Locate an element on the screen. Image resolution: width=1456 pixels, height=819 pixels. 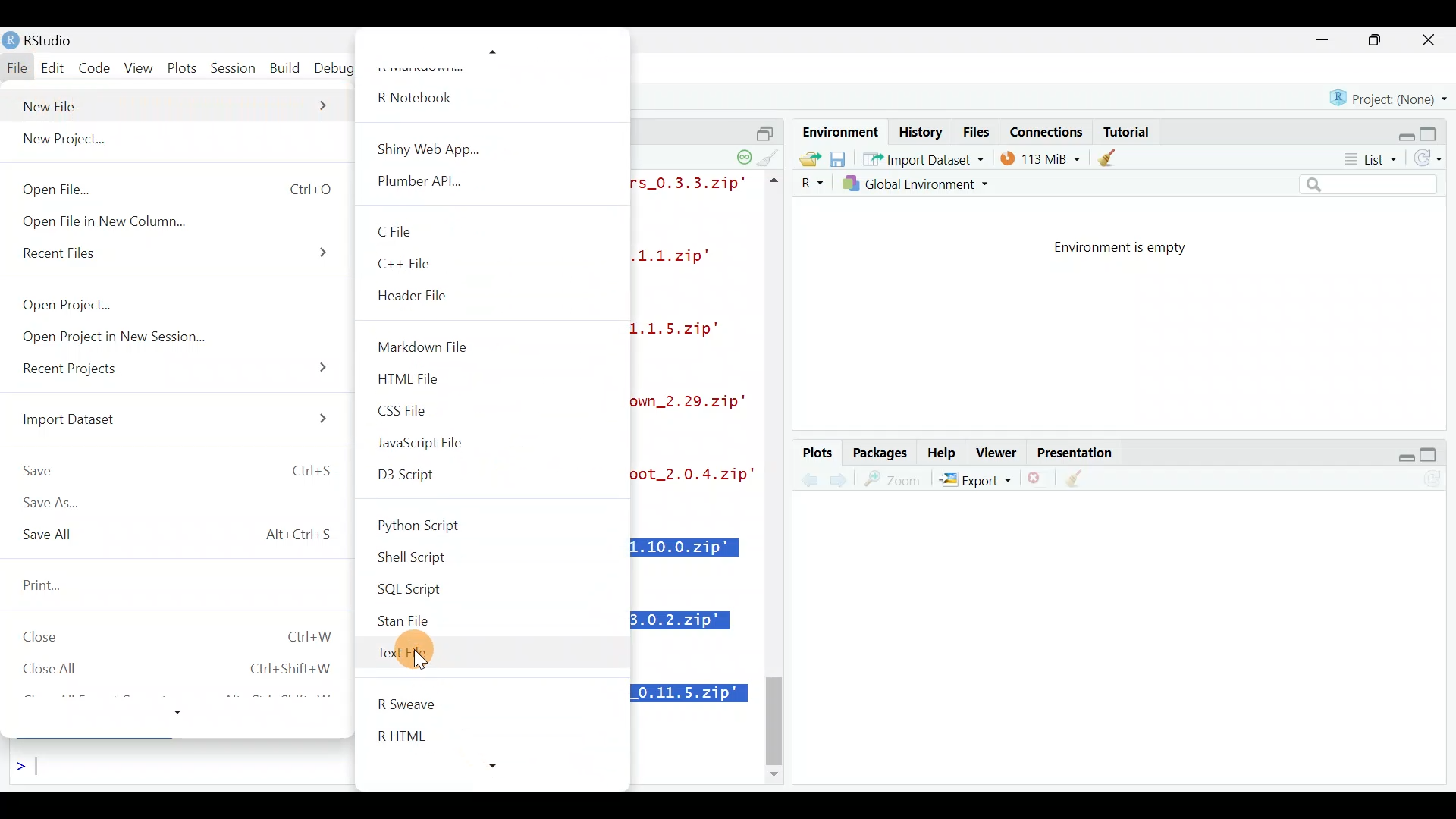
New Project... is located at coordinates (92, 143).